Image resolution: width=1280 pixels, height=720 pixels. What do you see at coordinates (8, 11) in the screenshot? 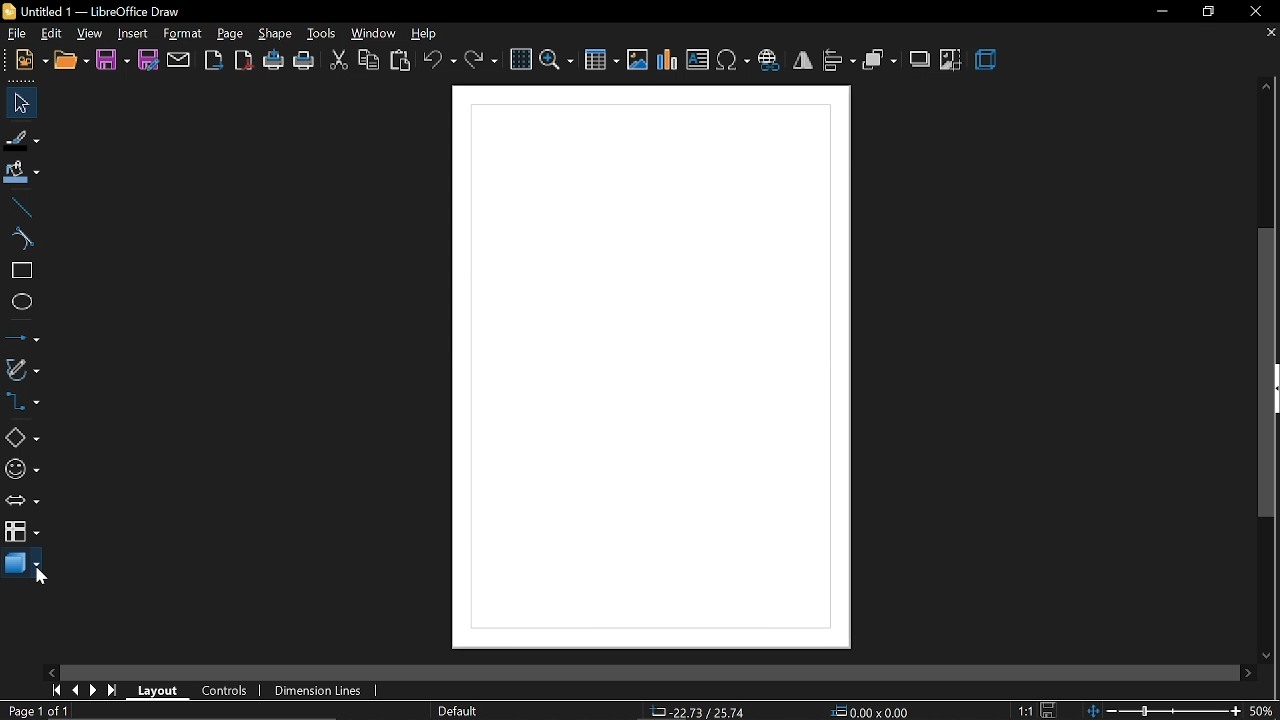
I see `icon` at bounding box center [8, 11].